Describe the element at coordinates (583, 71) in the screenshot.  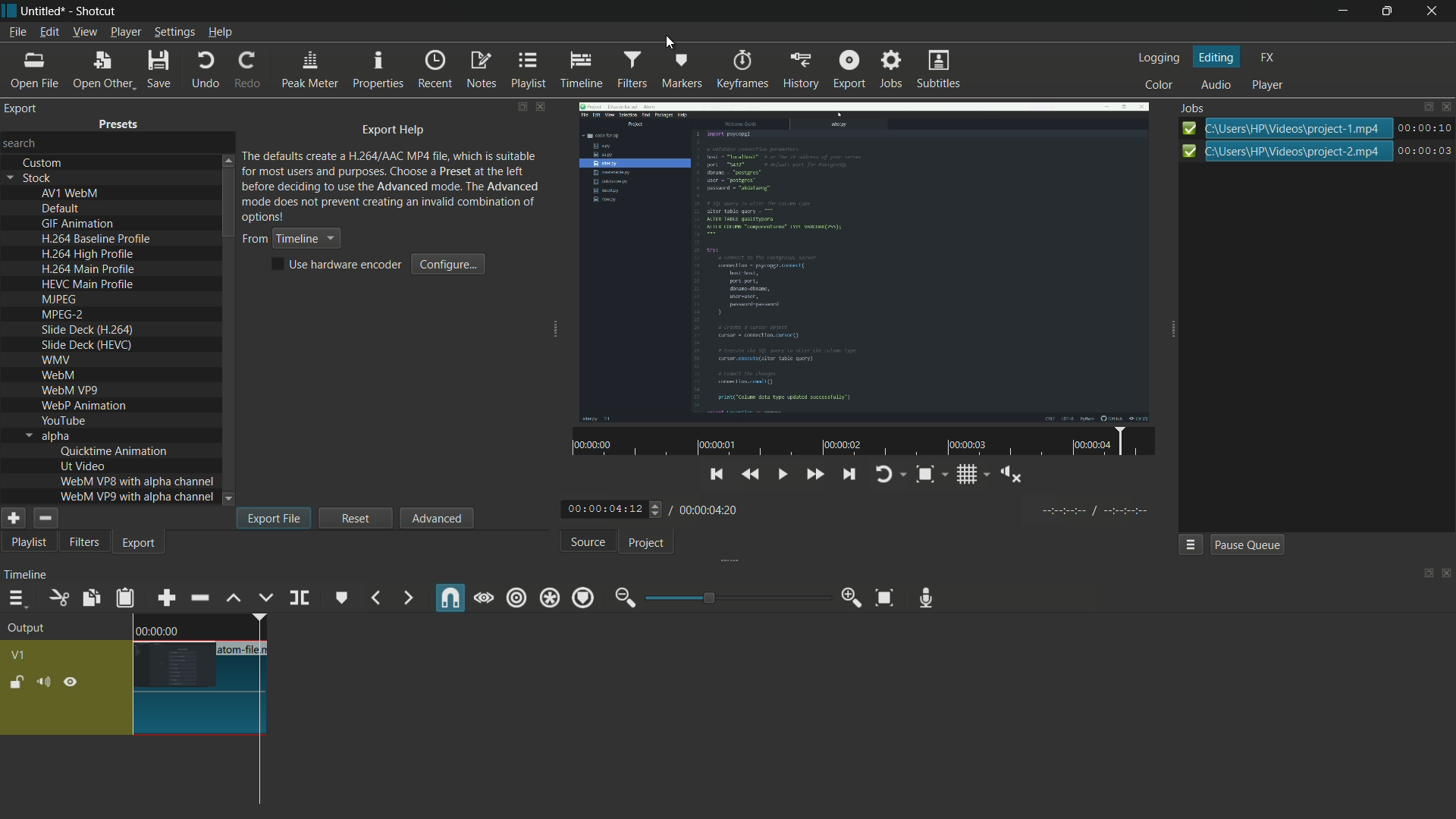
I see `timeline` at that location.